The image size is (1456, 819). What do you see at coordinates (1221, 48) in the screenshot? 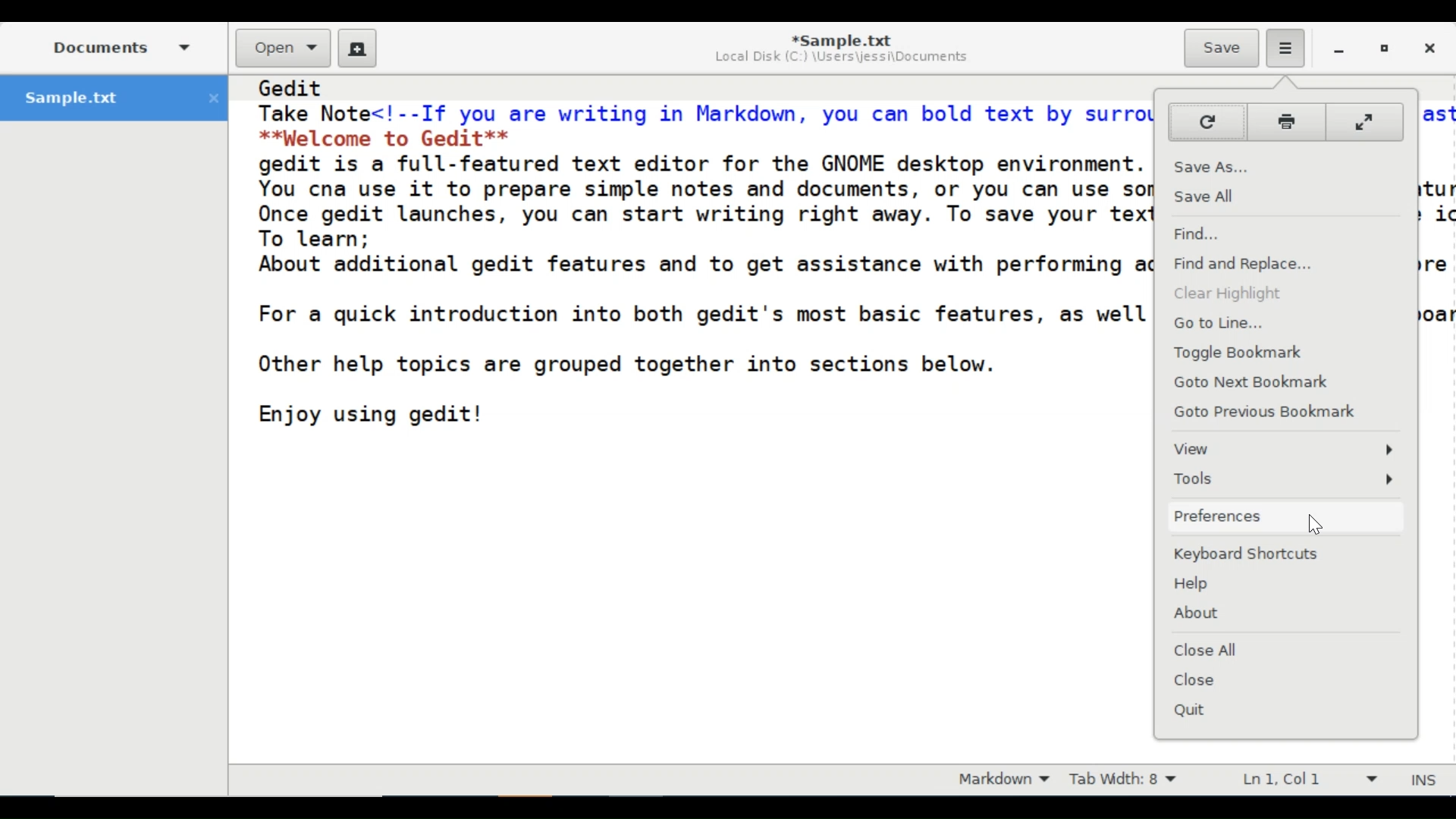
I see `Save` at bounding box center [1221, 48].